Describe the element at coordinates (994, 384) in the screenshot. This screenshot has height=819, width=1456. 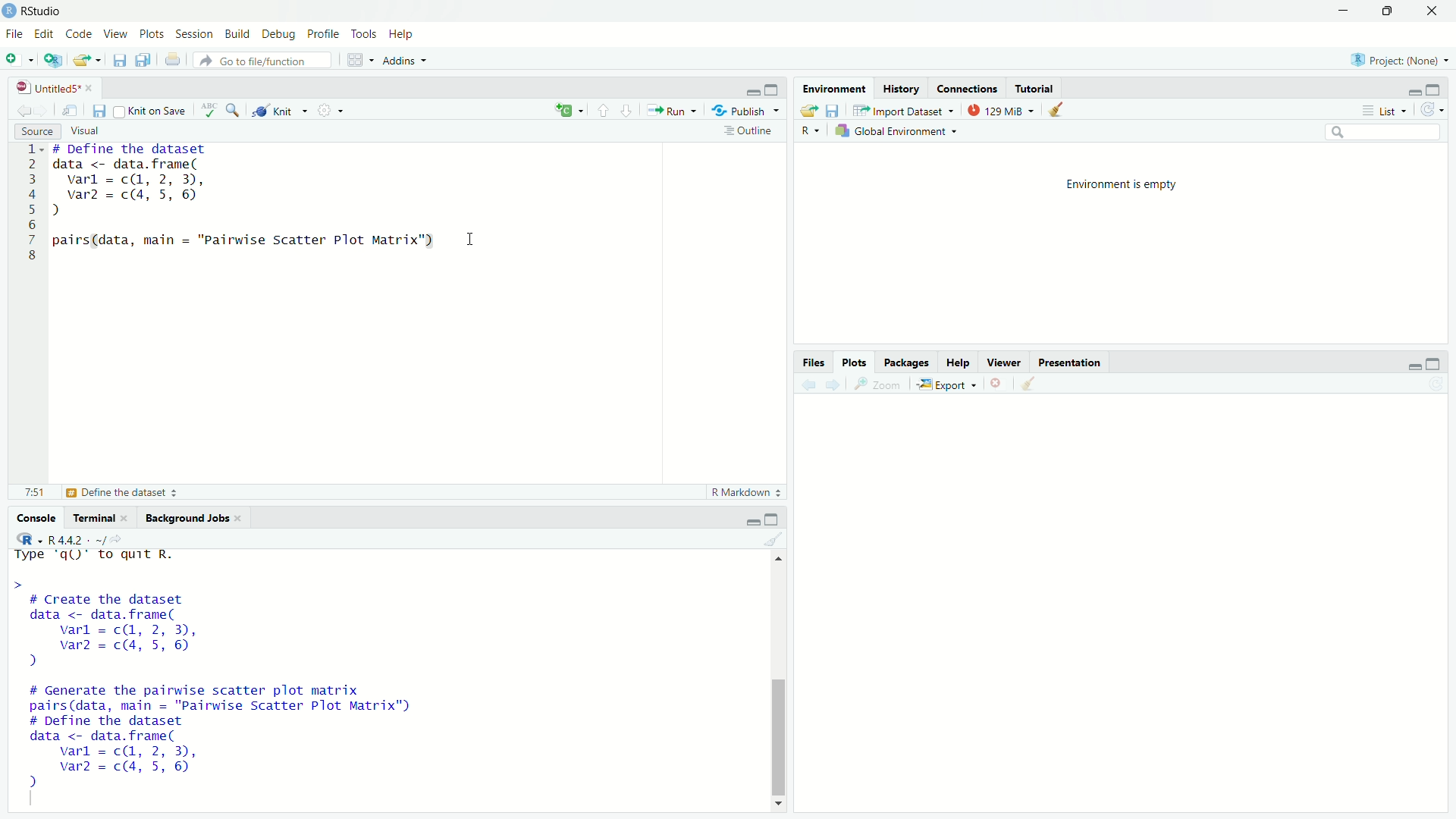
I see `Close` at that location.